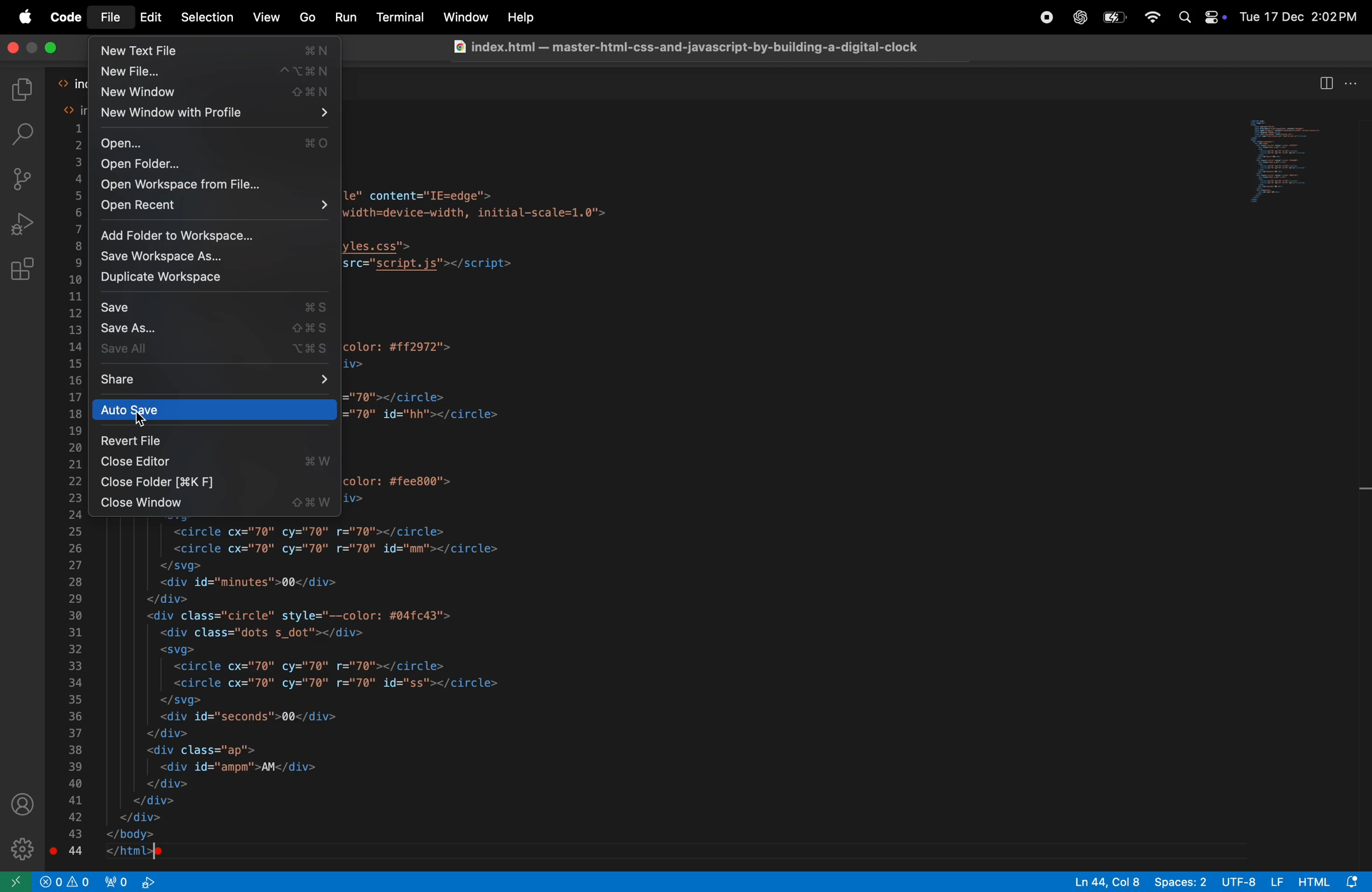 The height and width of the screenshot is (892, 1372). I want to click on share, so click(216, 381).